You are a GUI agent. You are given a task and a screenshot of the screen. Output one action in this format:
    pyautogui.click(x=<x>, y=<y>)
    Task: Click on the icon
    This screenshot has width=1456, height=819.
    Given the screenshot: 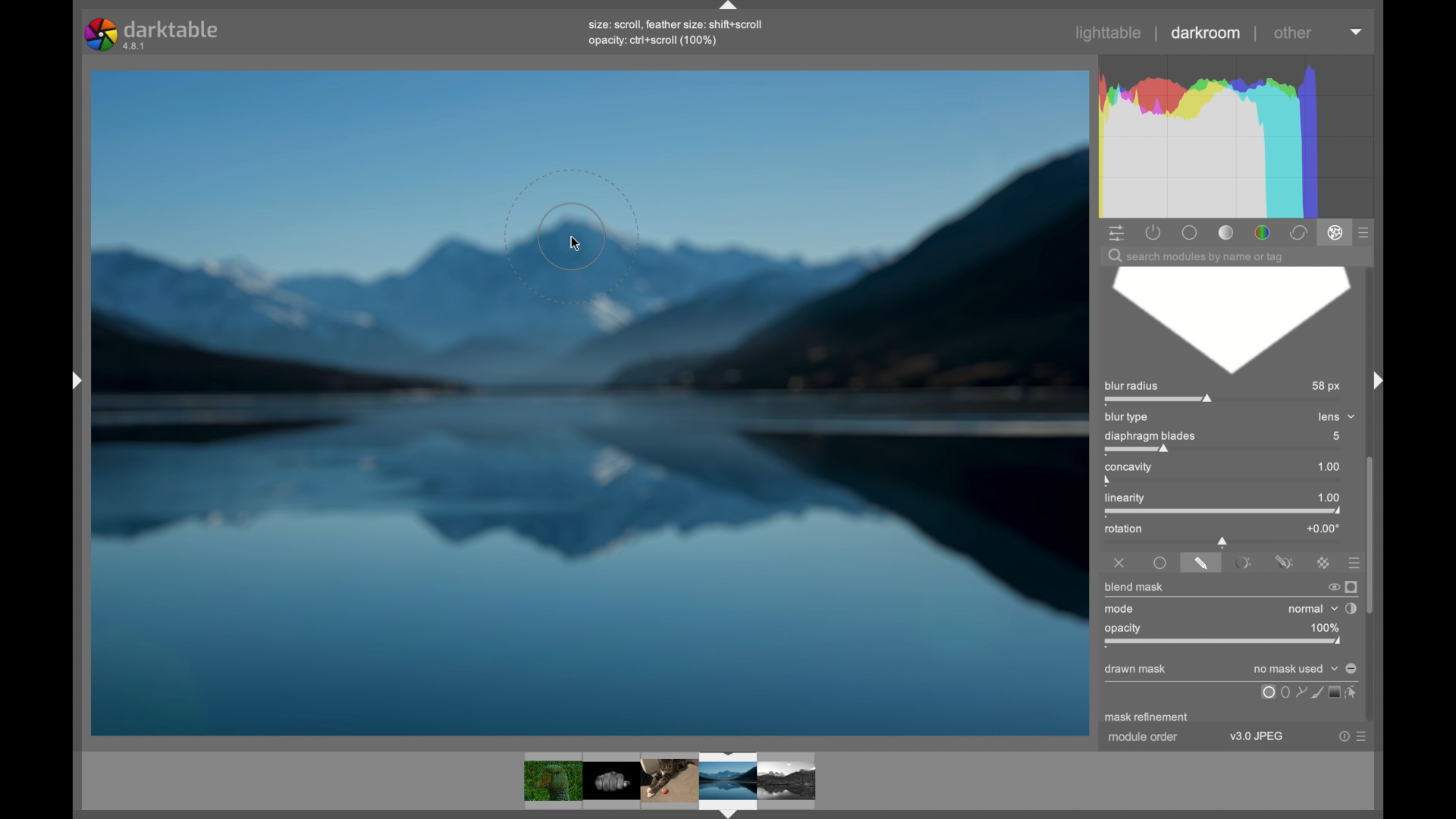 What is the action you would take?
    pyautogui.click(x=1315, y=692)
    